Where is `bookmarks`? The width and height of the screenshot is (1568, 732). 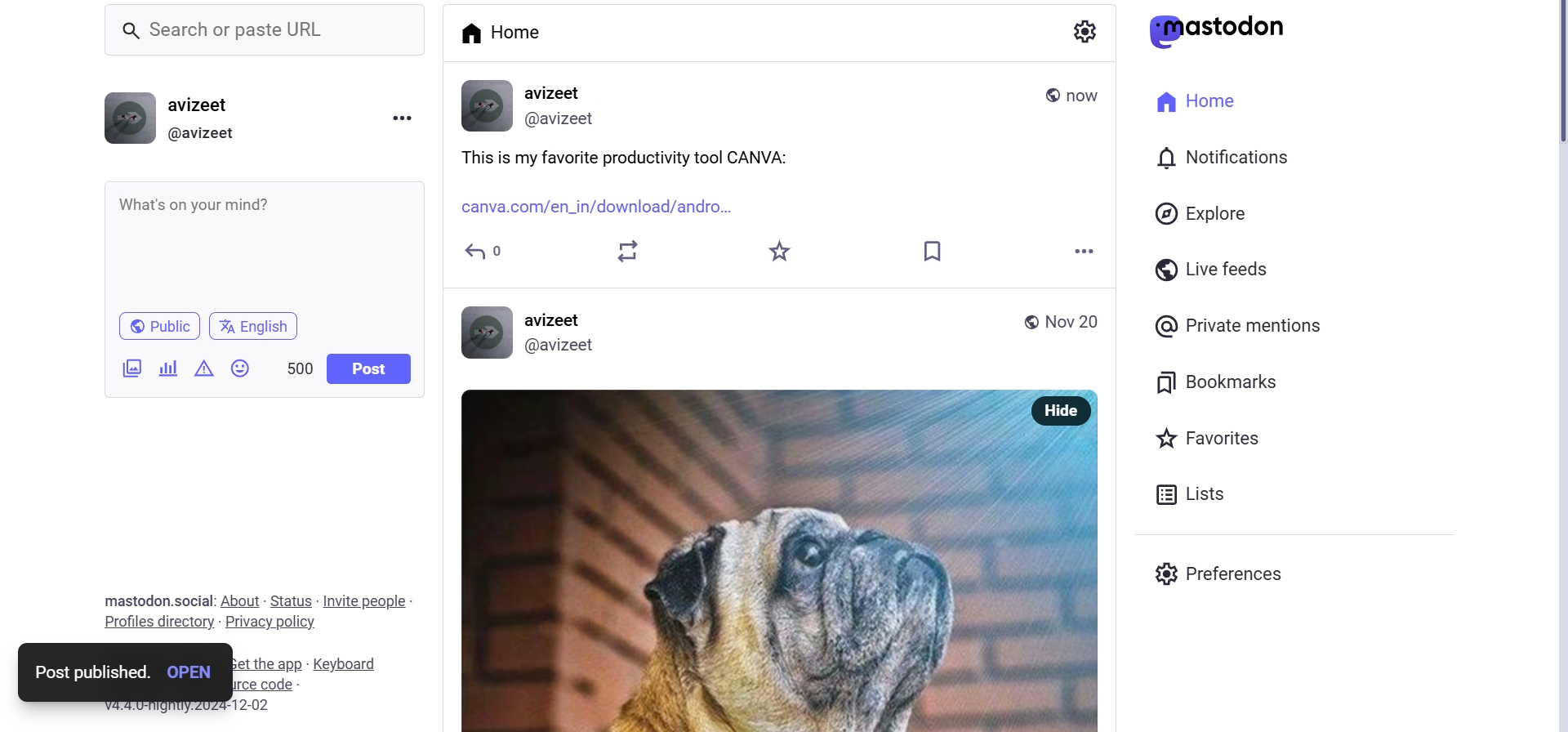
bookmarks is located at coordinates (1214, 382).